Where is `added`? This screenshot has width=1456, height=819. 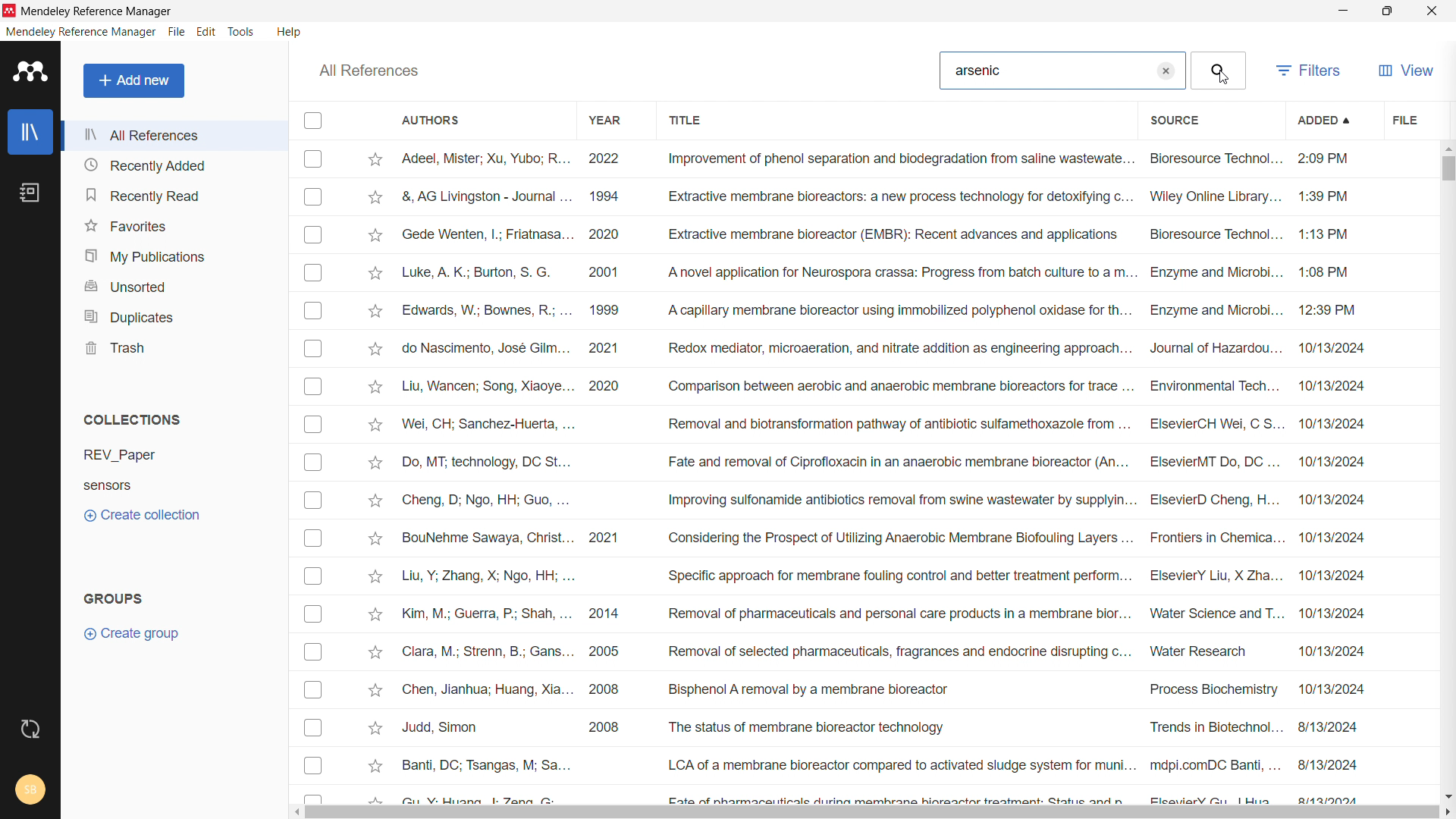 added is located at coordinates (1335, 120).